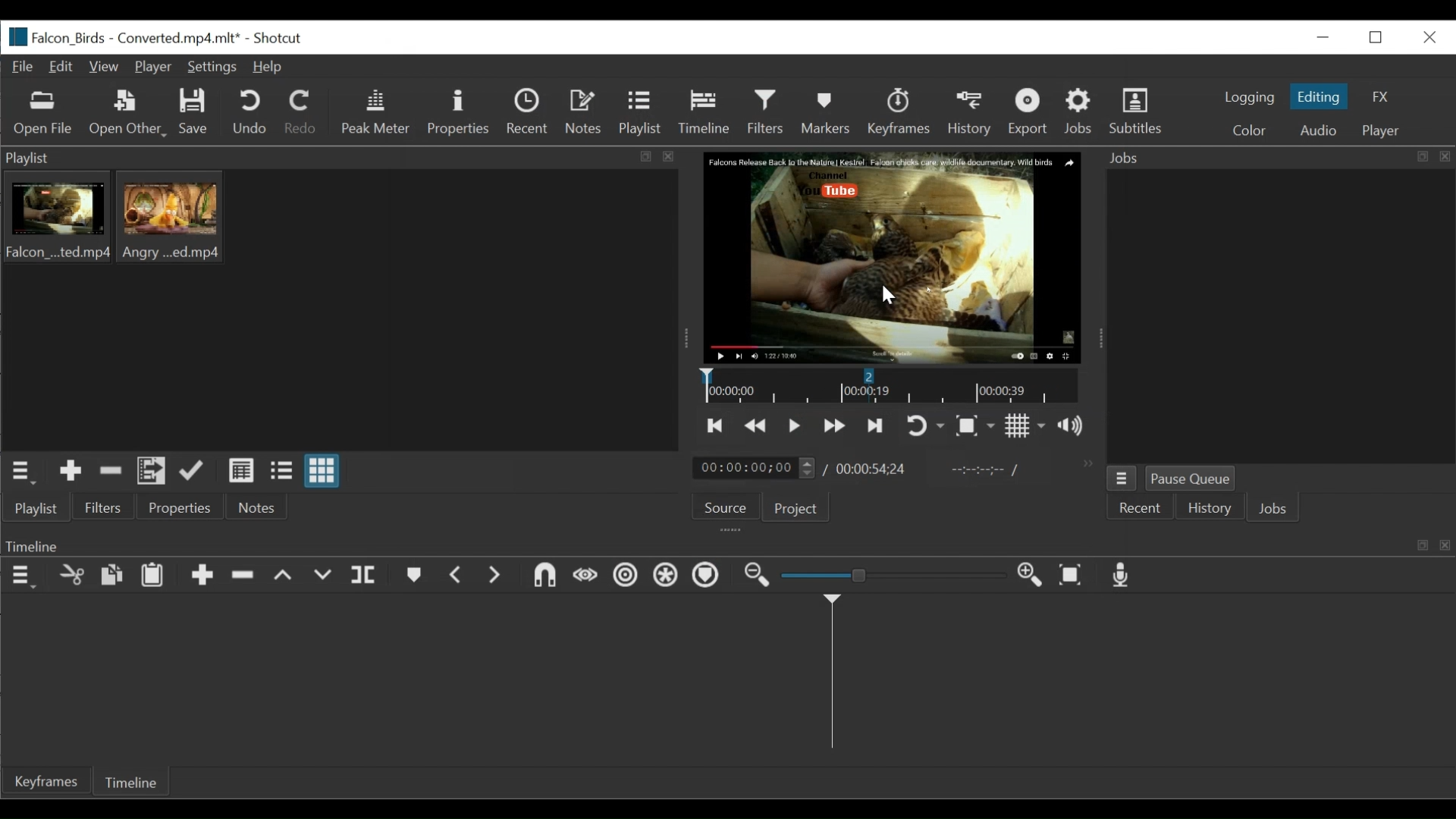 This screenshot has width=1456, height=819. Describe the element at coordinates (925, 425) in the screenshot. I see `Toggle player looping` at that location.